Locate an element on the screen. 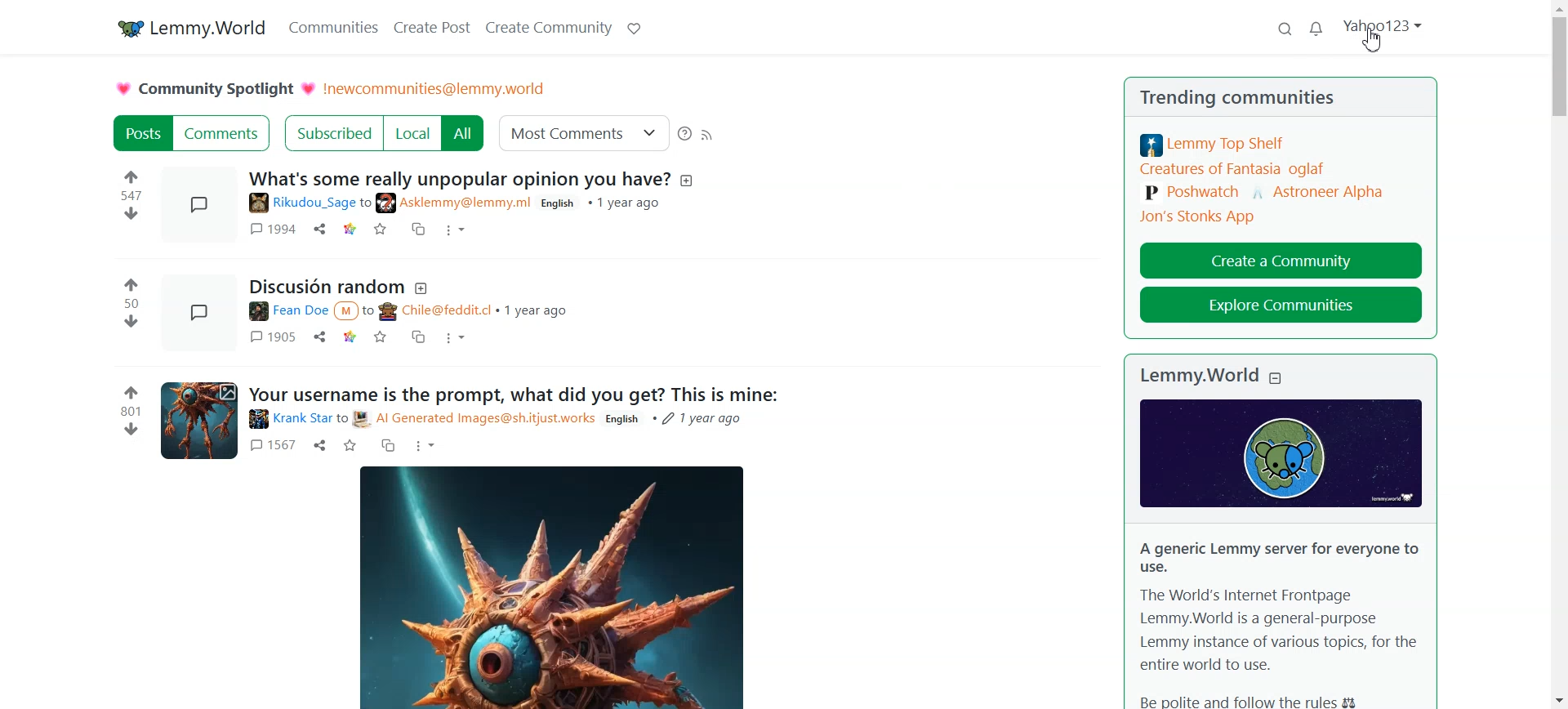  upvote is located at coordinates (132, 283).